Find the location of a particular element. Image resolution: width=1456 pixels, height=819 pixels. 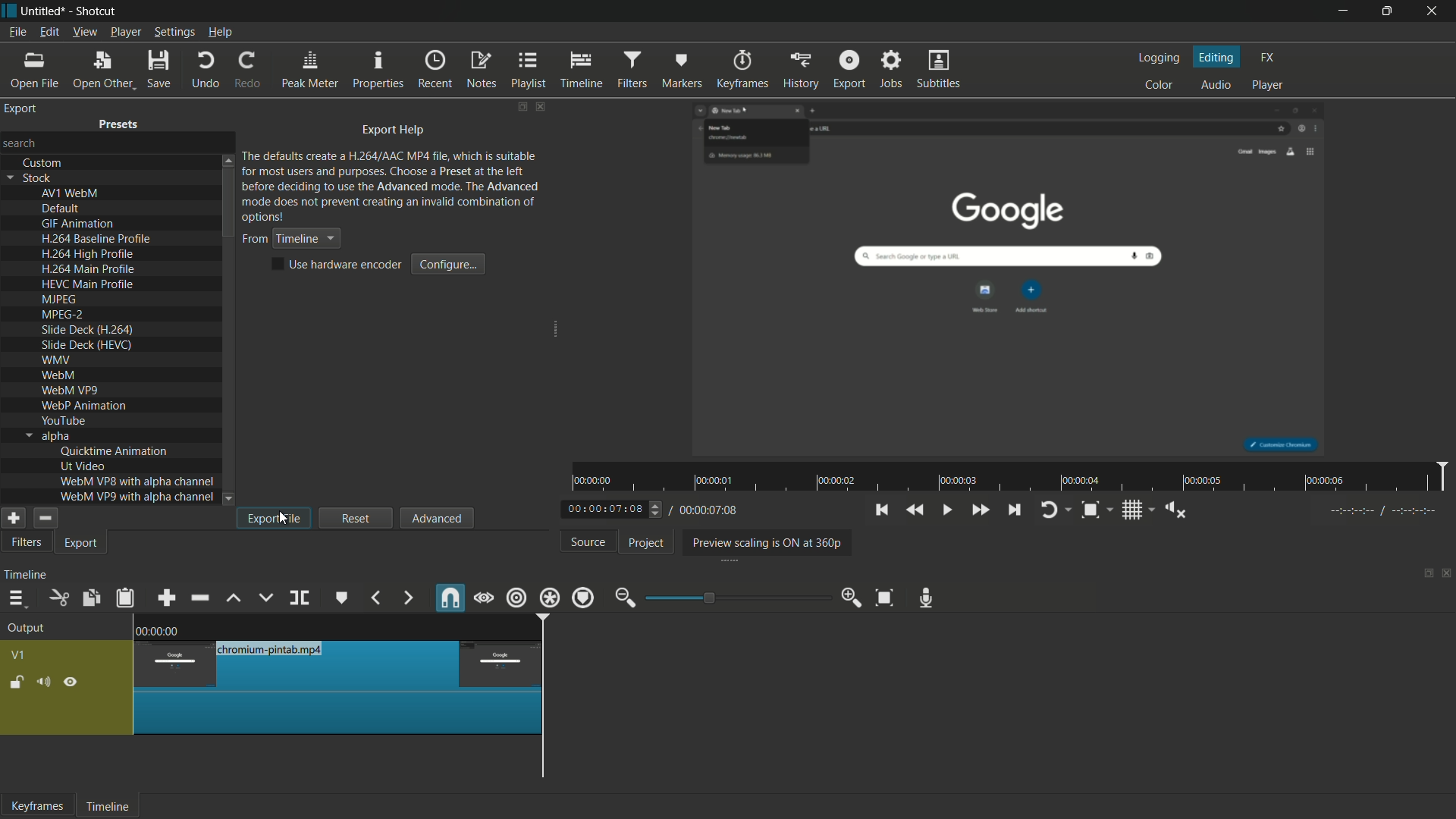

export is located at coordinates (83, 544).